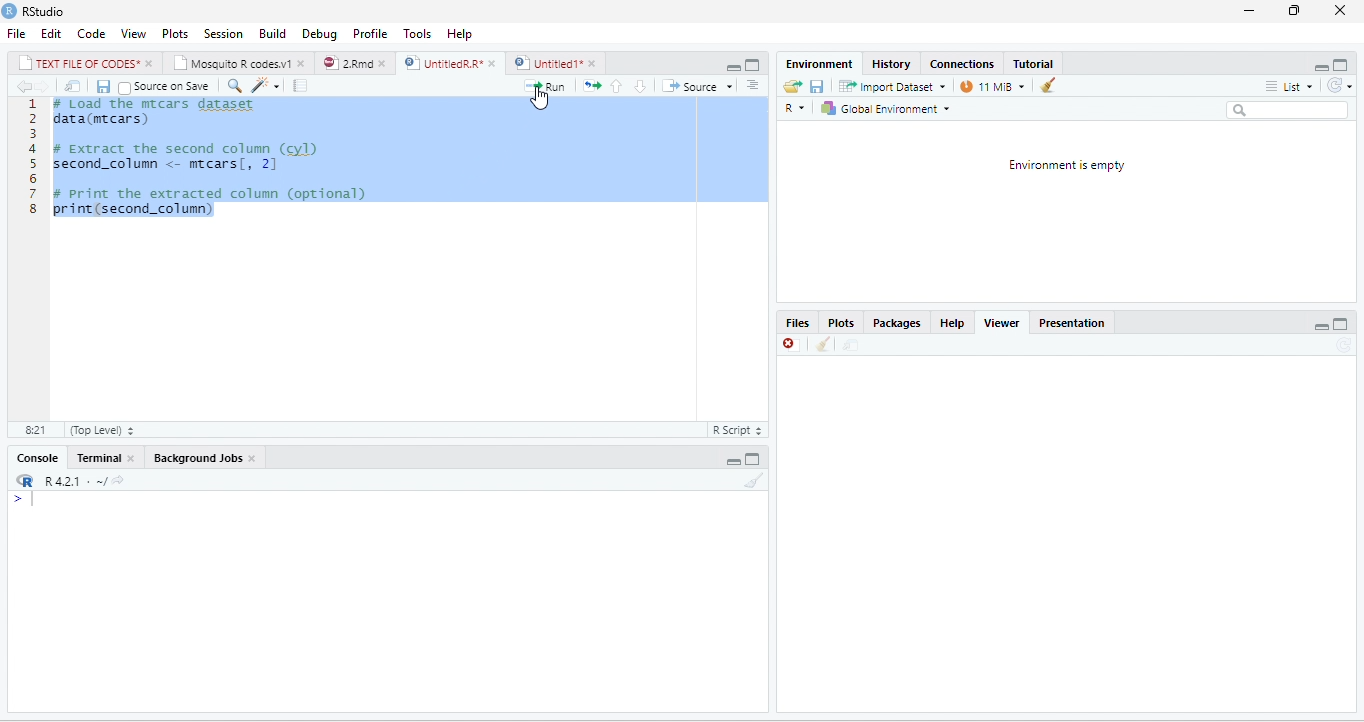 The image size is (1364, 722). What do you see at coordinates (789, 87) in the screenshot?
I see `open` at bounding box center [789, 87].